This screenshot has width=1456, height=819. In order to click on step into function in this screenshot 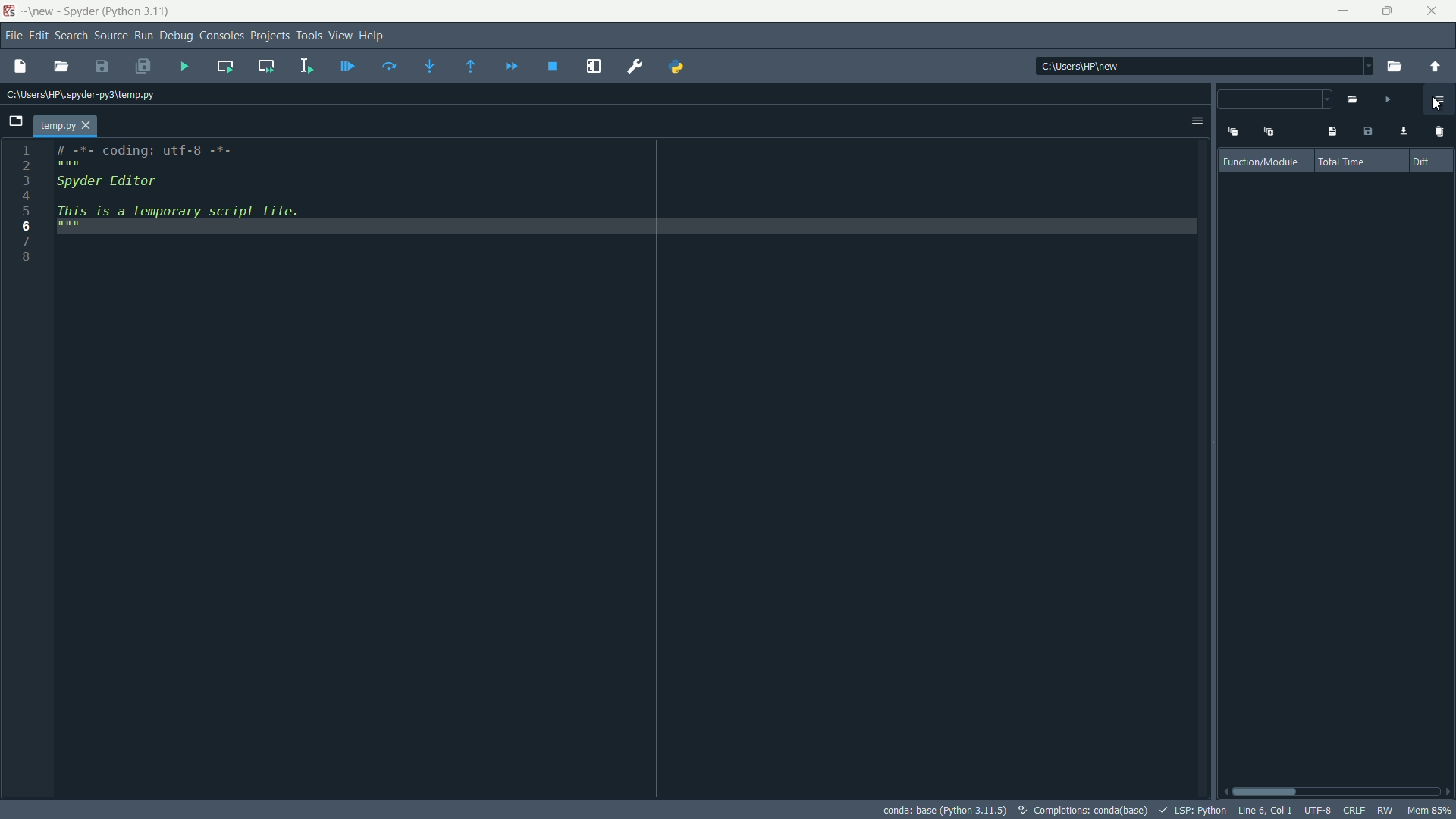, I will do `click(431, 67)`.